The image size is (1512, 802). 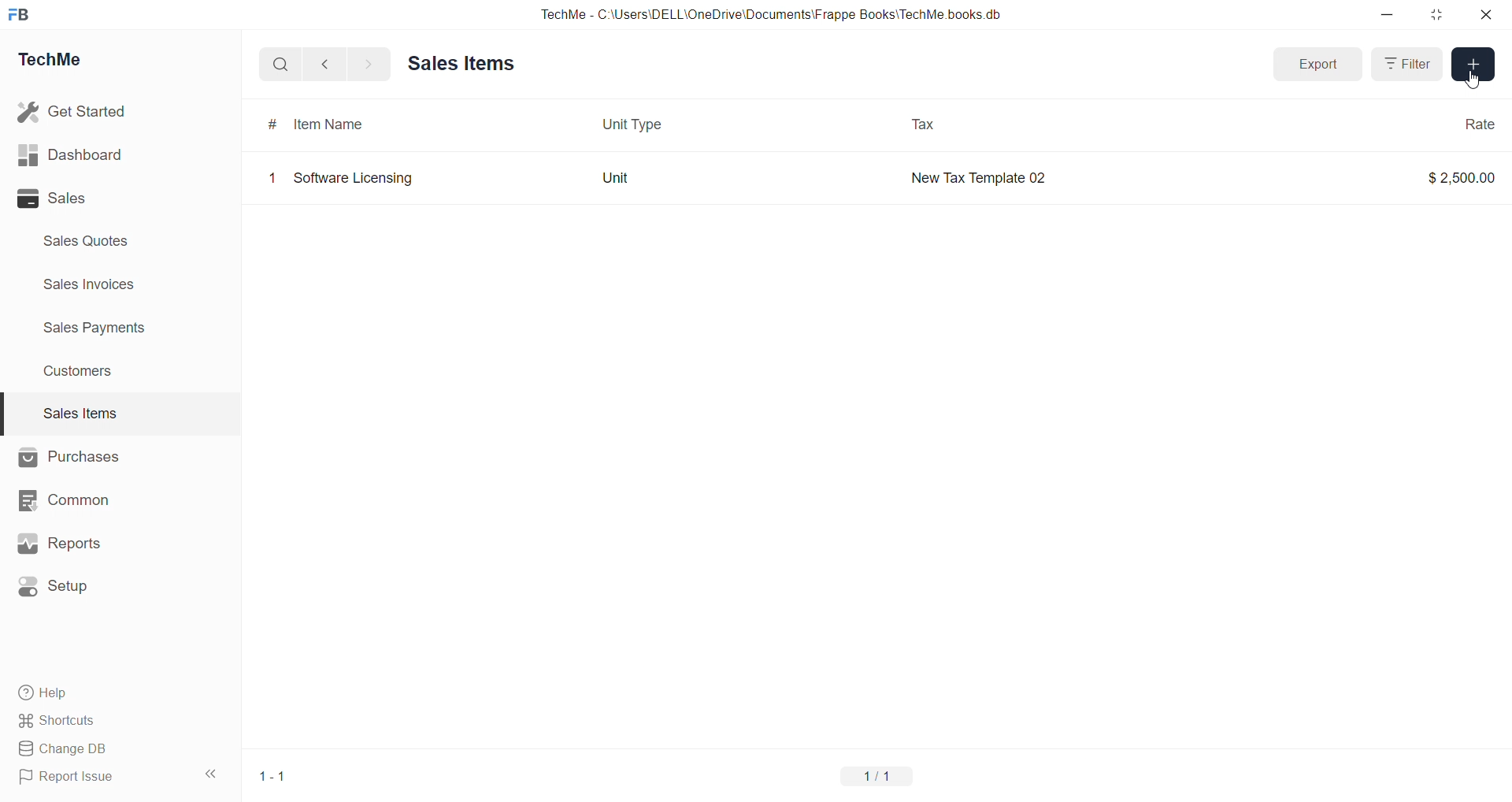 What do you see at coordinates (45, 693) in the screenshot?
I see `Help` at bounding box center [45, 693].